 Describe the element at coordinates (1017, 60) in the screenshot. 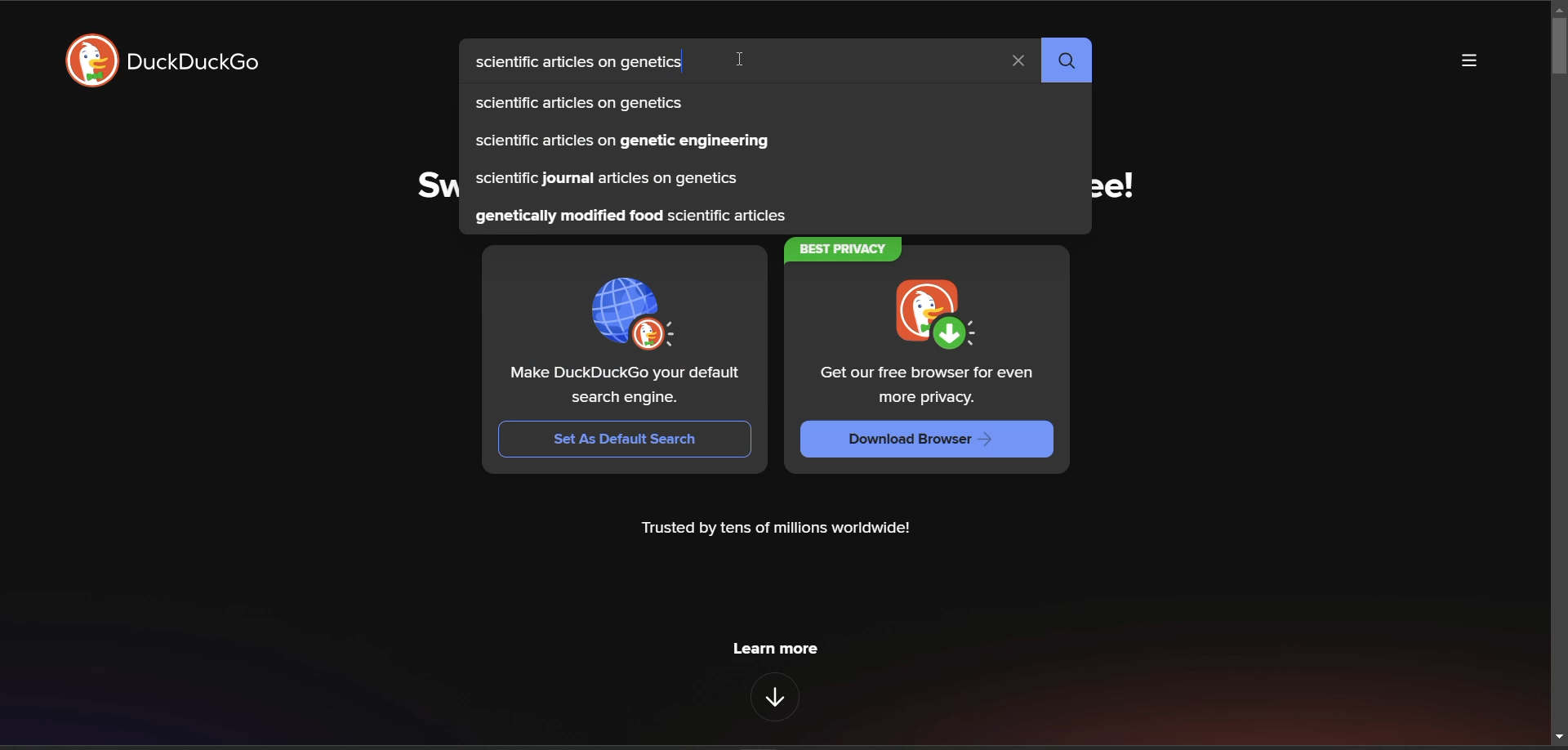

I see `clear search term` at that location.